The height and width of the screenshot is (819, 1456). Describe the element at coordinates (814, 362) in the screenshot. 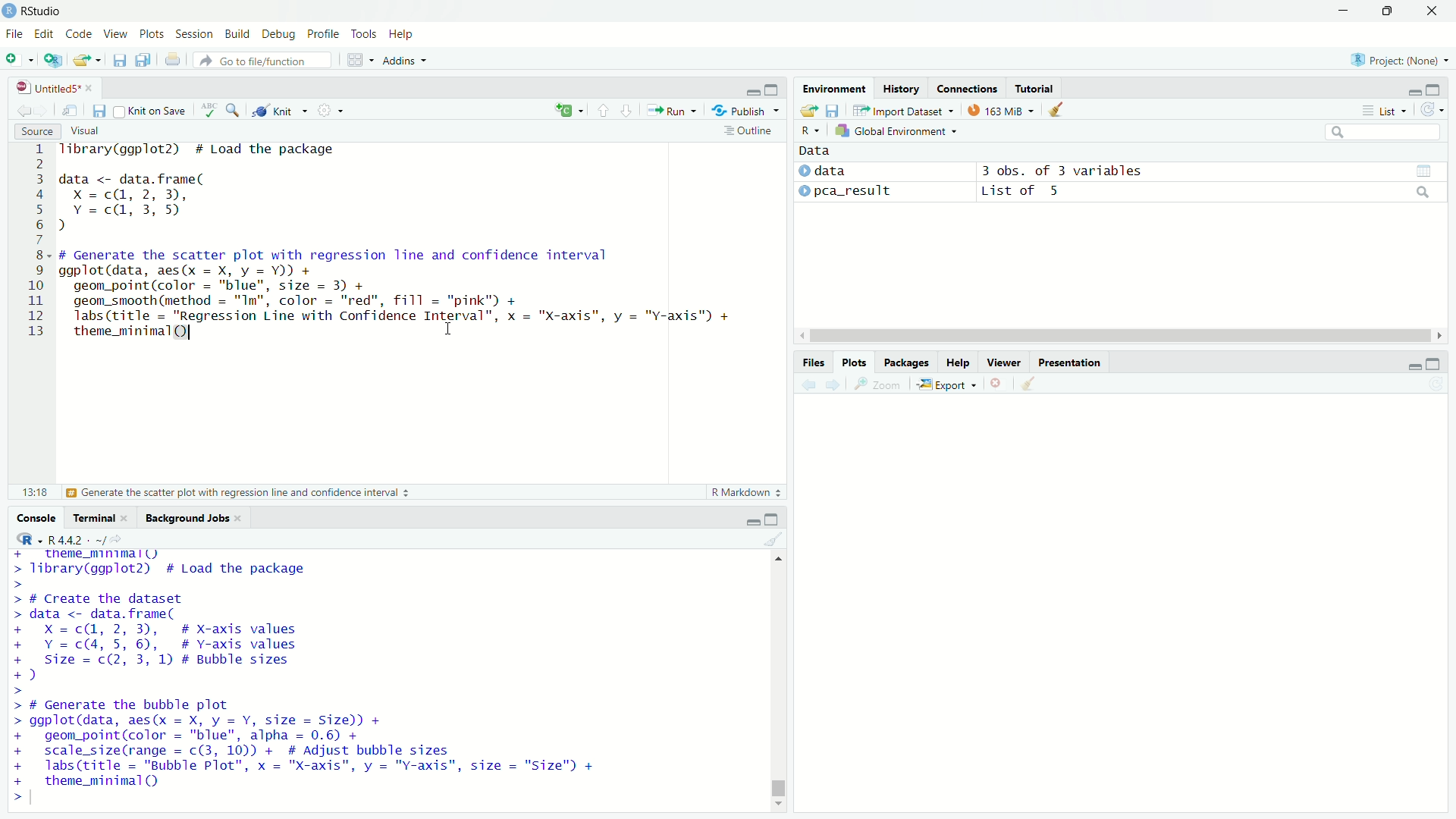

I see `Files` at that location.